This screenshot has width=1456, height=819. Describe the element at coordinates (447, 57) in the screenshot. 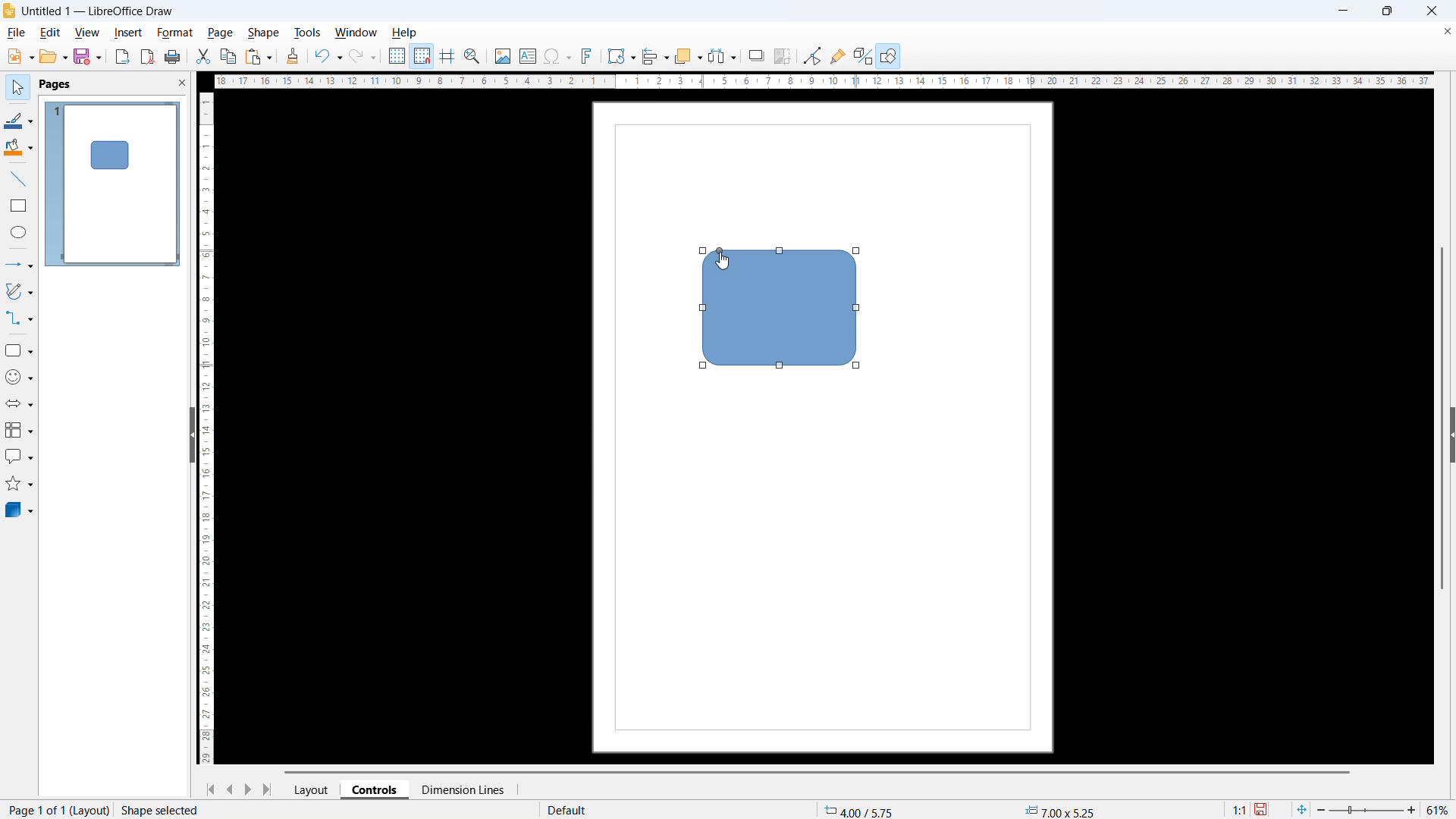

I see `Guidelines while moving ` at that location.